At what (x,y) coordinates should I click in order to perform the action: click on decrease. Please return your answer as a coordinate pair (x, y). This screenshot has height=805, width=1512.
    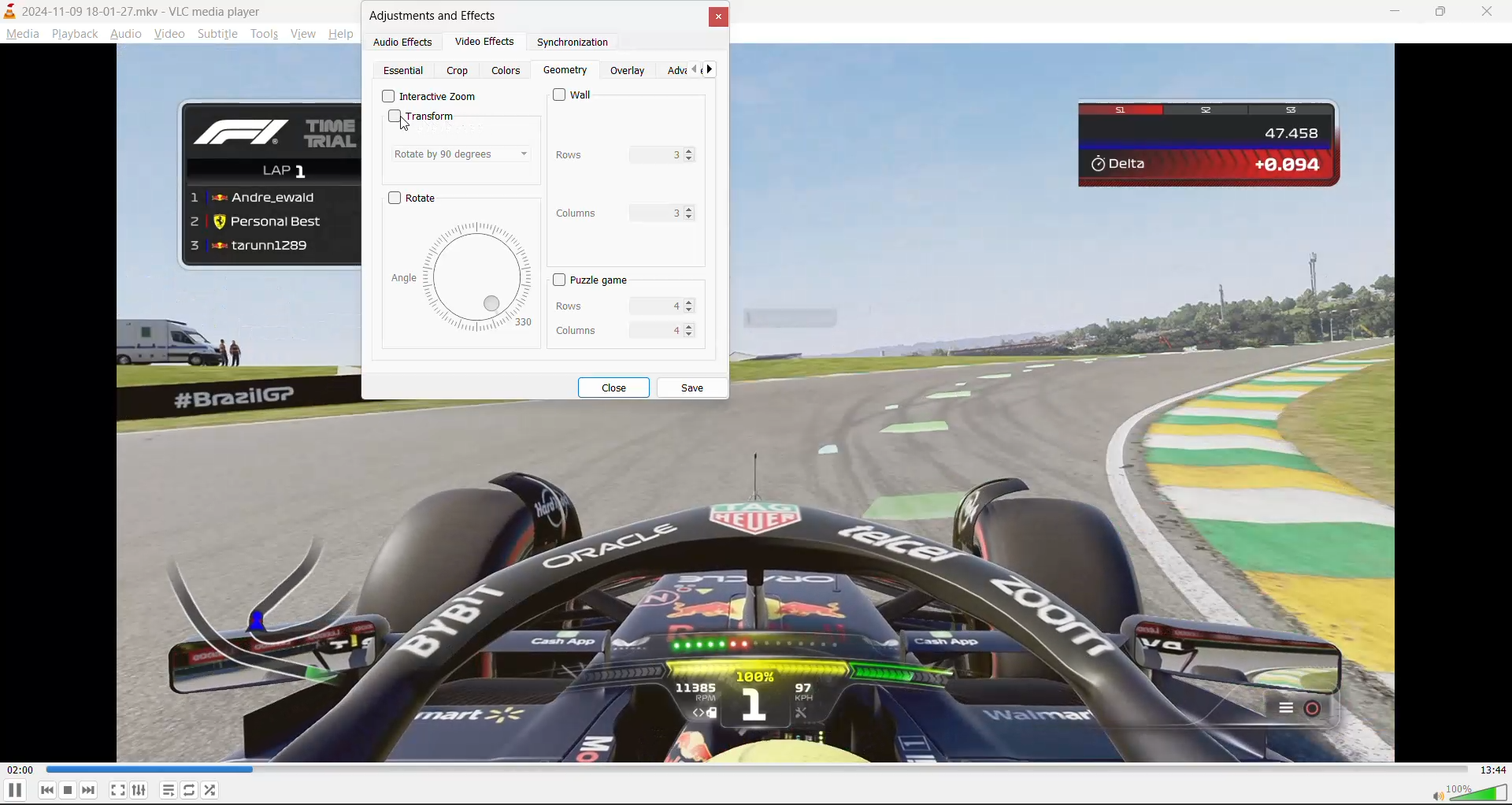
    Looking at the image, I should click on (692, 161).